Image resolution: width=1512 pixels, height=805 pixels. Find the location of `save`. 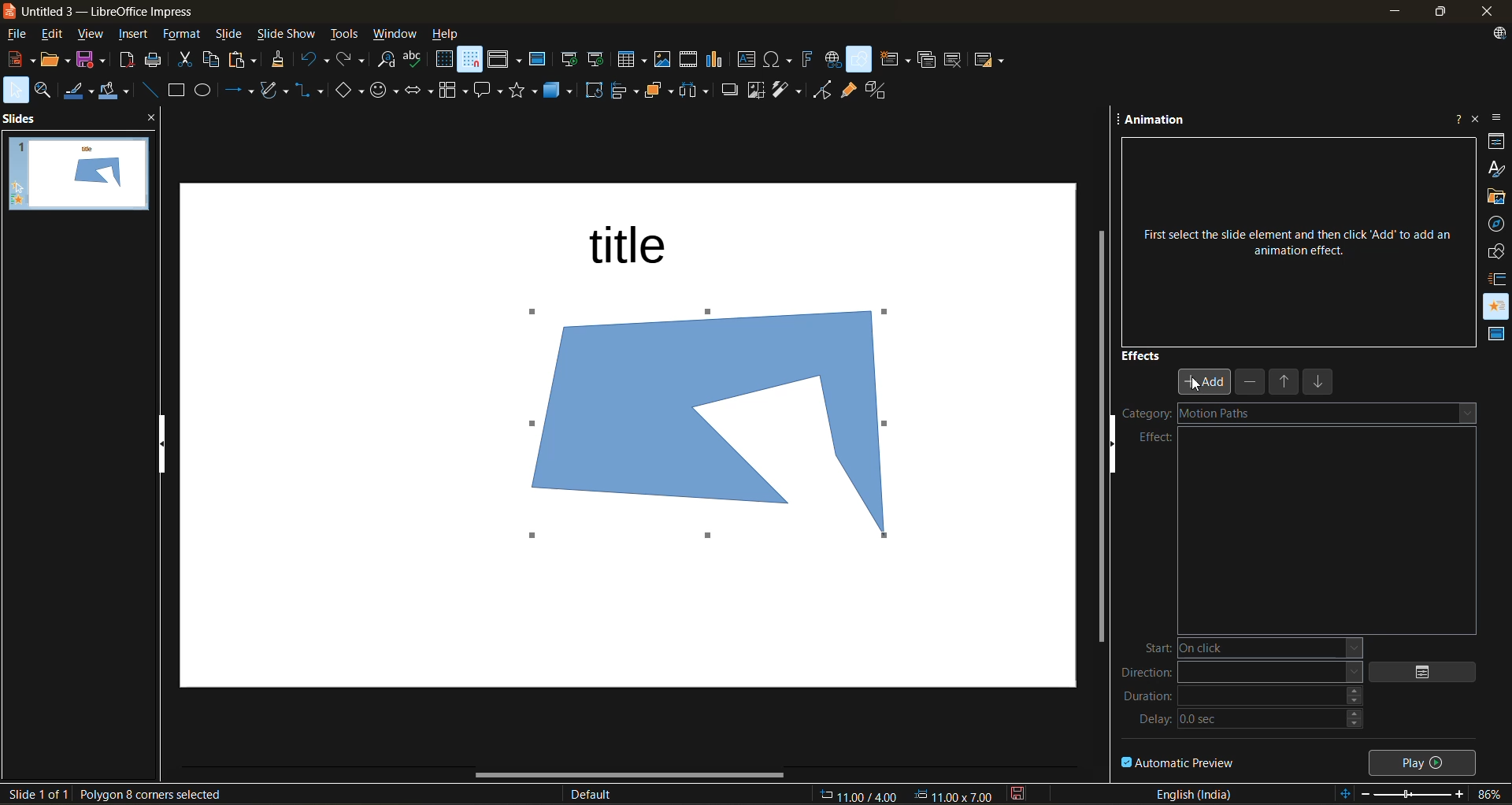

save is located at coordinates (92, 60).